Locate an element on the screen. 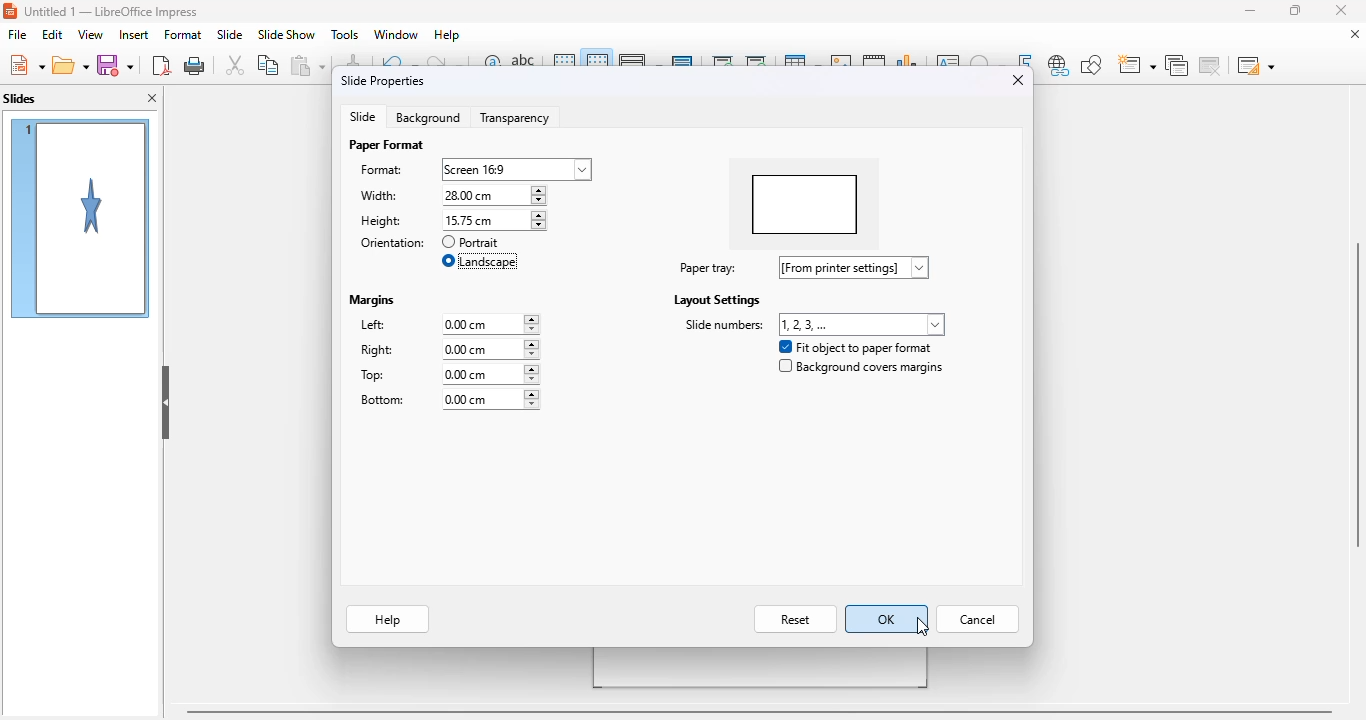 The width and height of the screenshot is (1366, 720). transparency is located at coordinates (511, 118).